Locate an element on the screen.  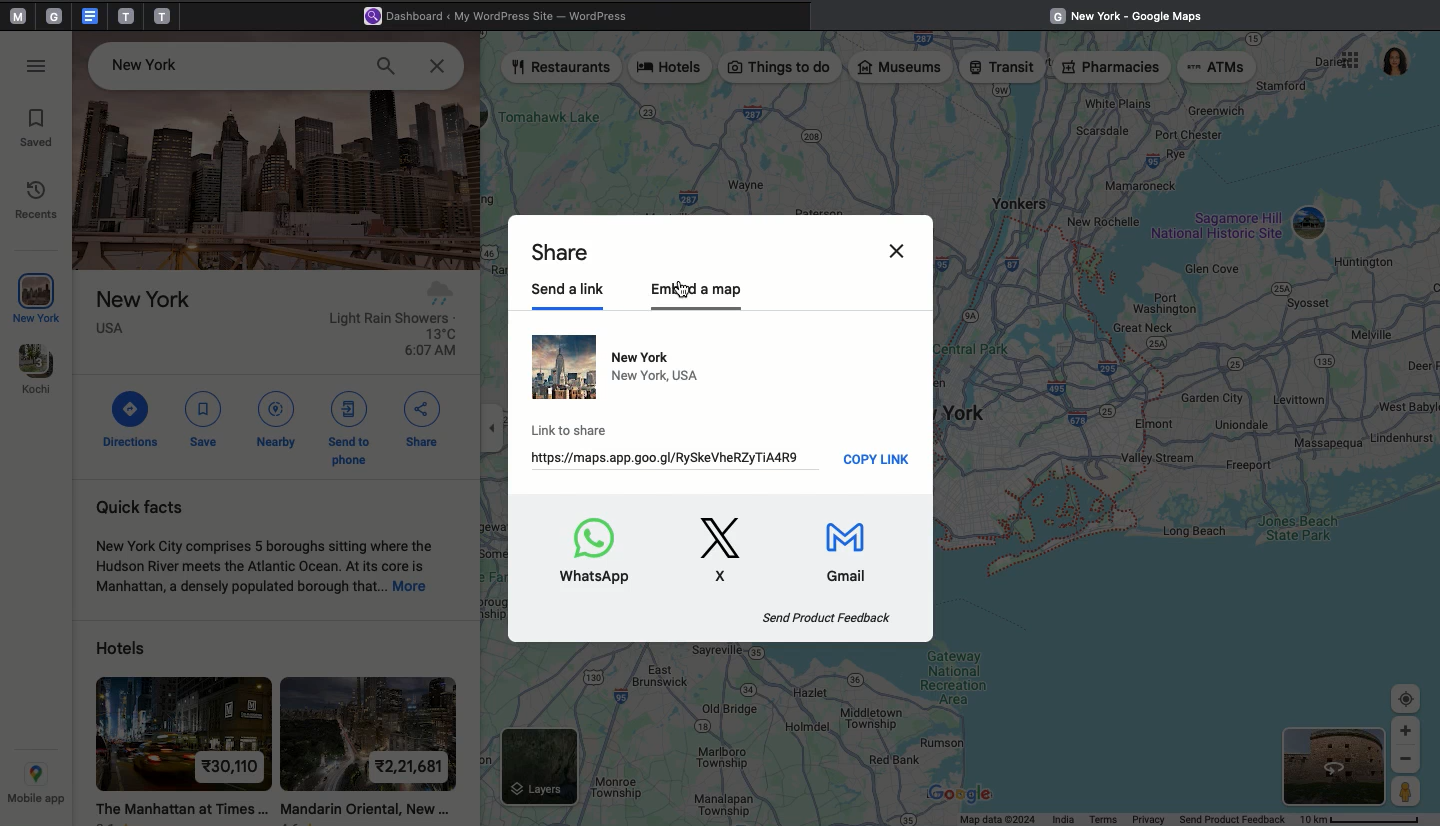
Saved is located at coordinates (39, 129).